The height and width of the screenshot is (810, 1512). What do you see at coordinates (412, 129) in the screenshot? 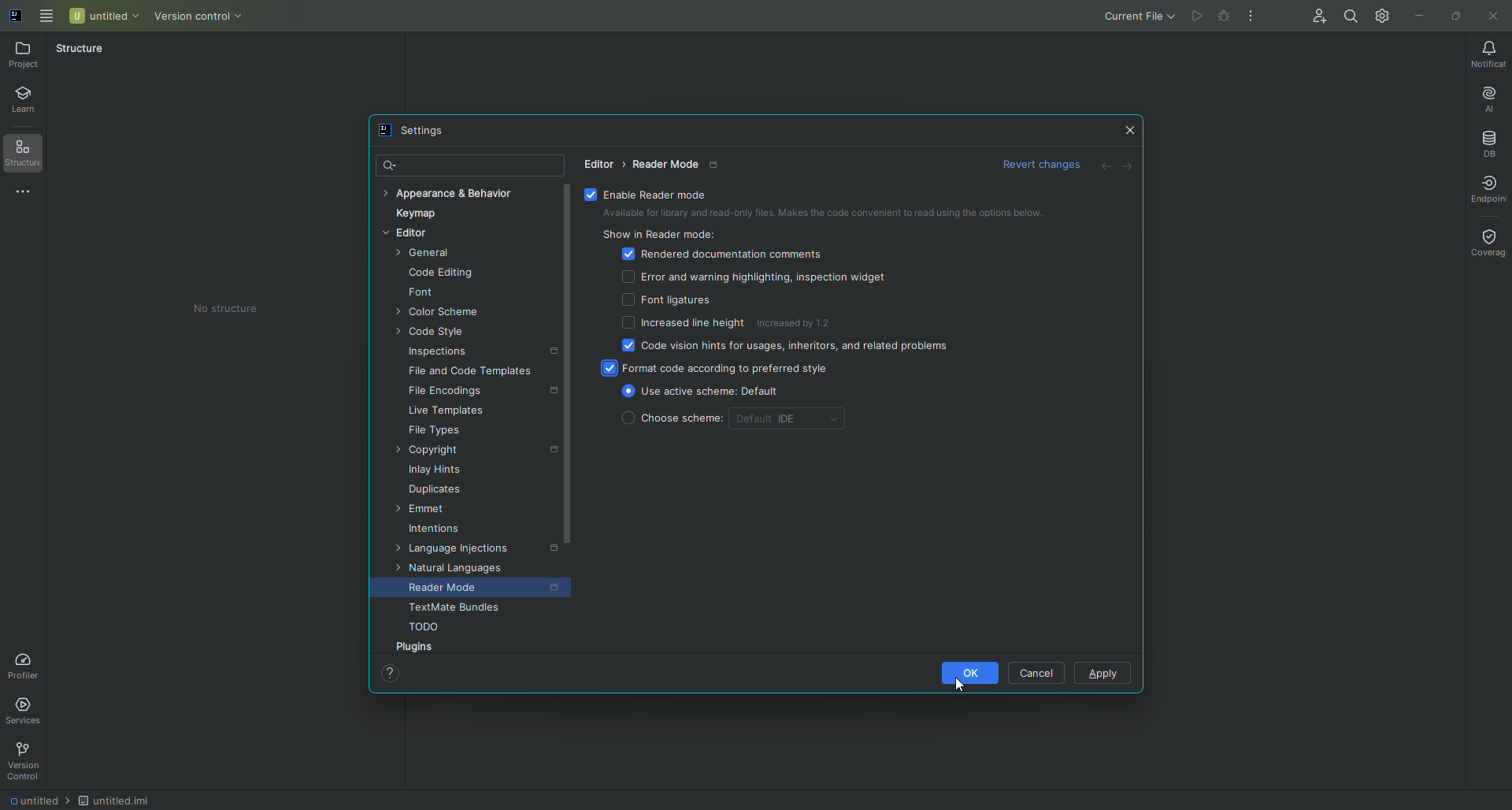
I see `Settings` at bounding box center [412, 129].